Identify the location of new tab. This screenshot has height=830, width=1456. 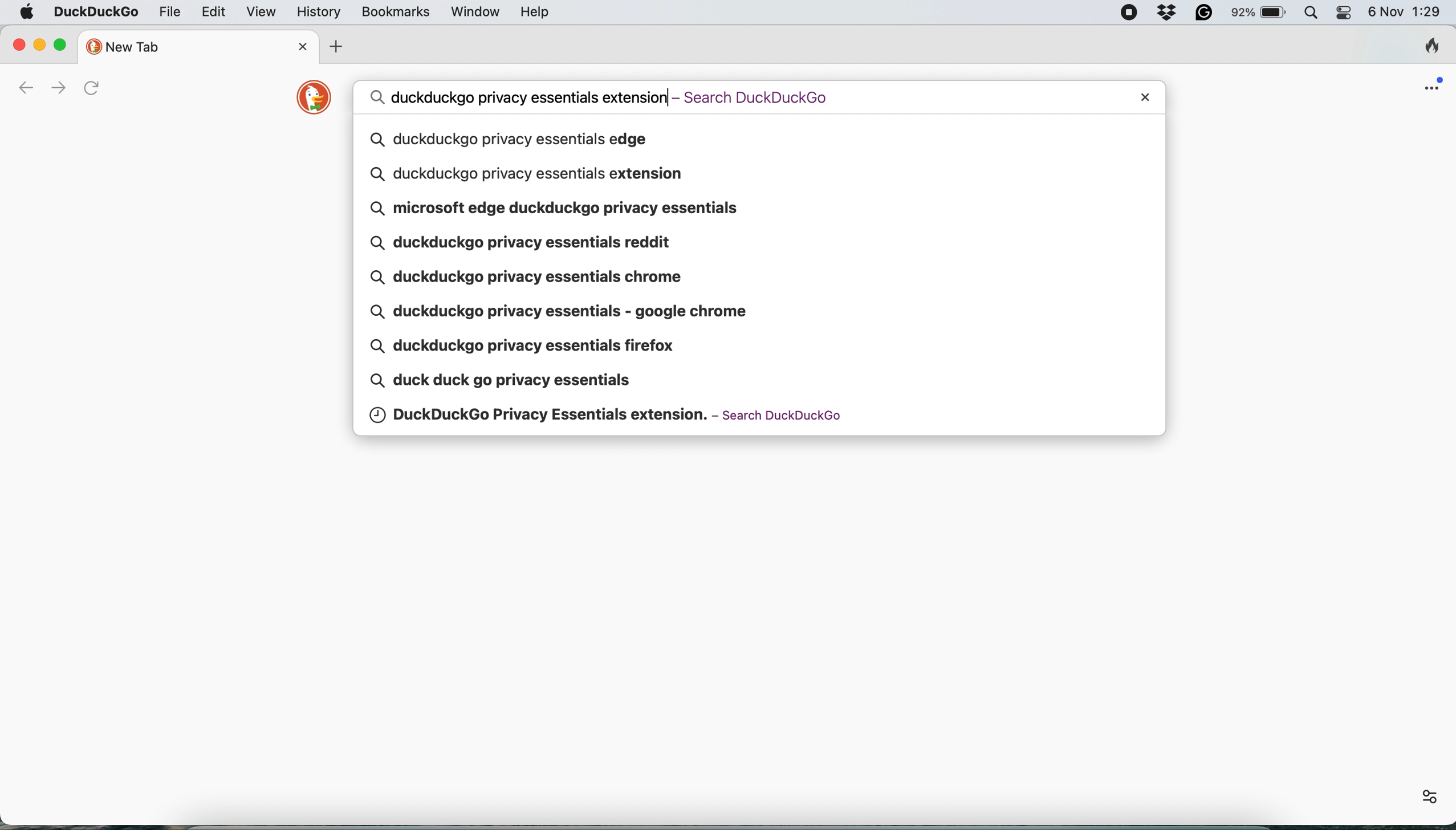
(185, 45).